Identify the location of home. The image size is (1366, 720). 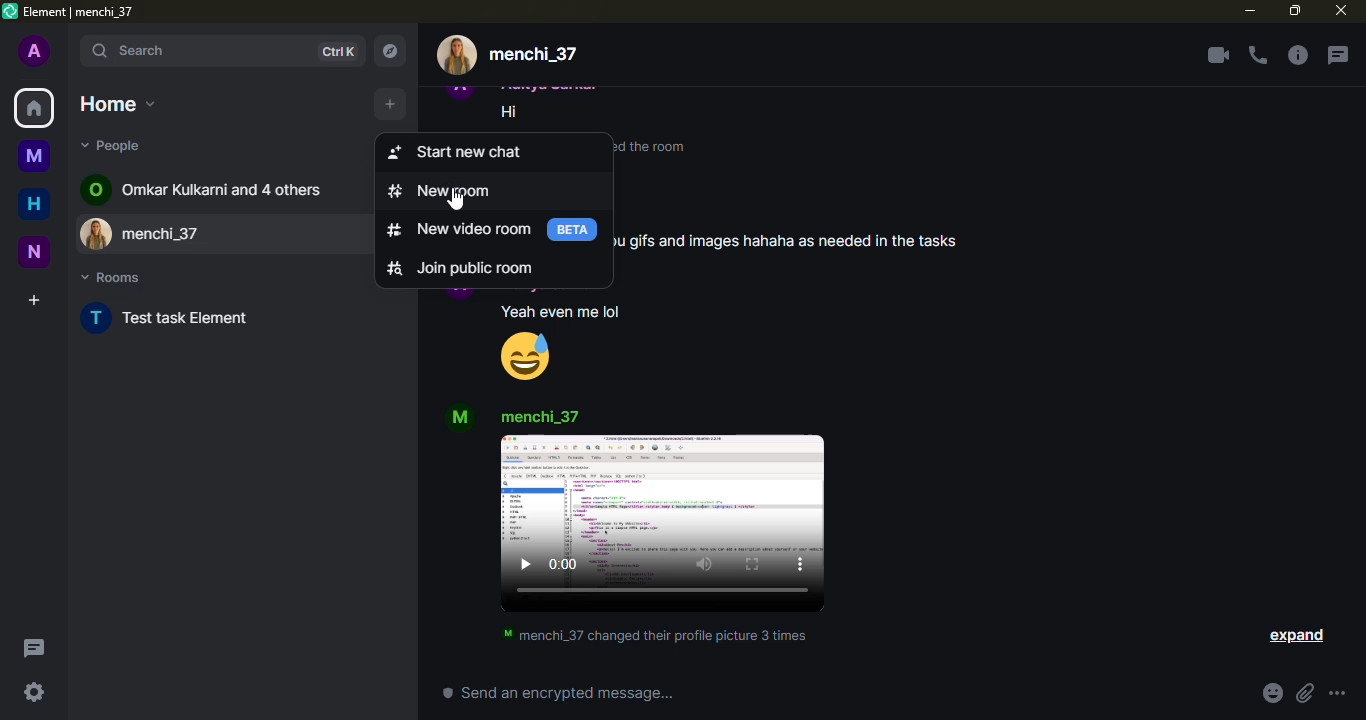
(34, 203).